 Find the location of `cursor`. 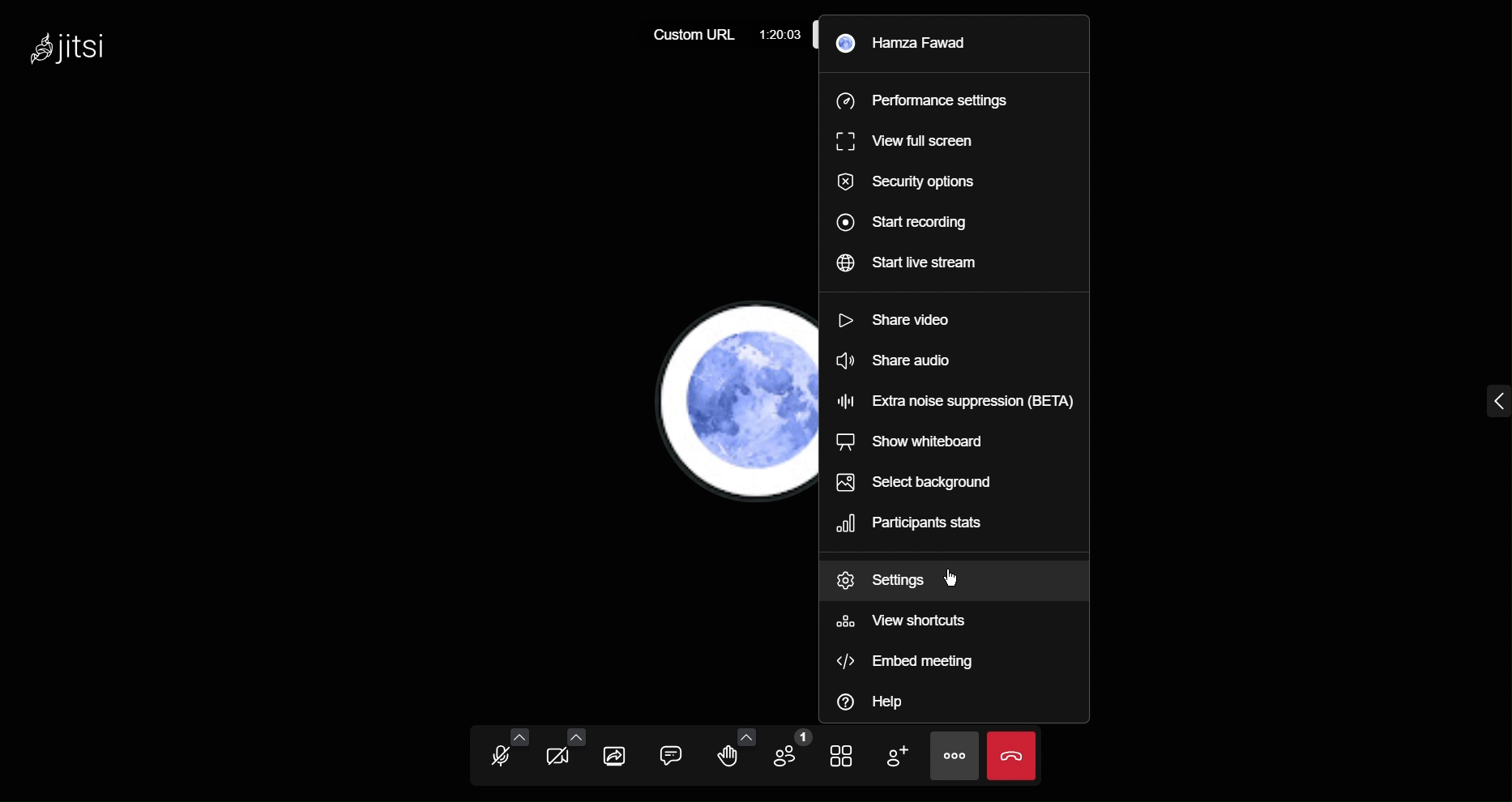

cursor is located at coordinates (956, 578).